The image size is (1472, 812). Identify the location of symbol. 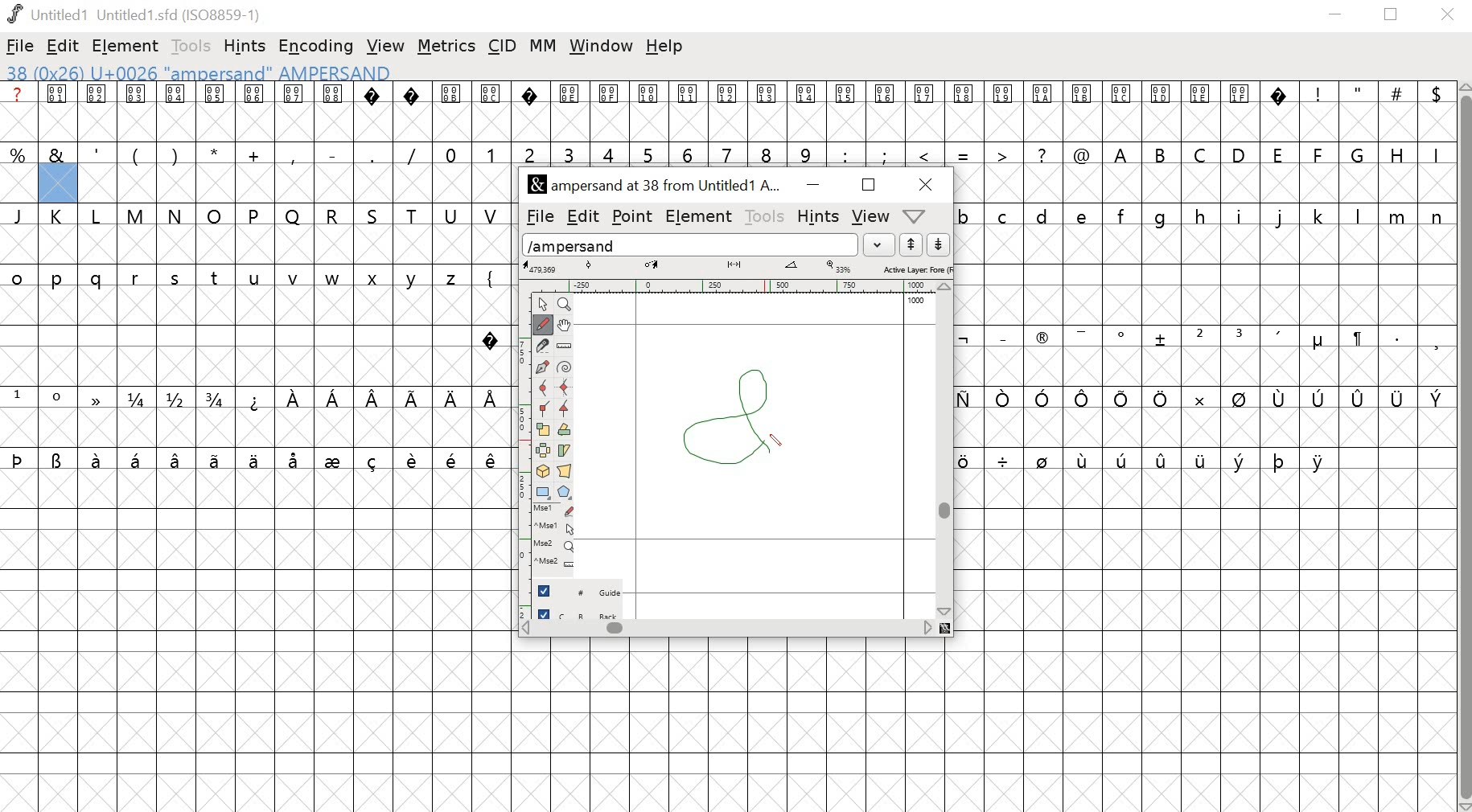
(294, 399).